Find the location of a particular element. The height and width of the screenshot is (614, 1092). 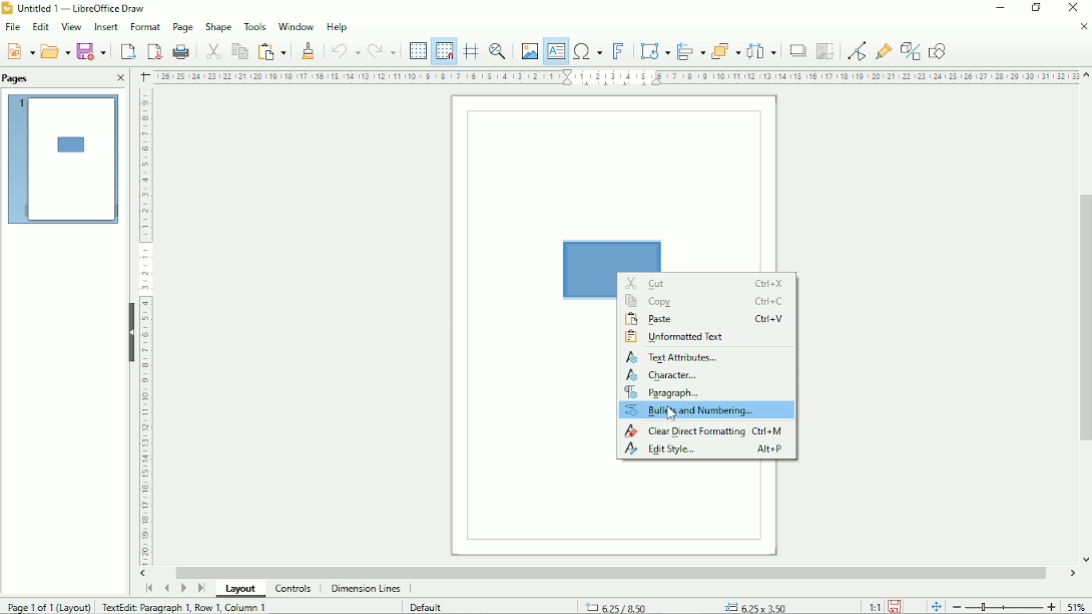

Insert text box is located at coordinates (556, 52).